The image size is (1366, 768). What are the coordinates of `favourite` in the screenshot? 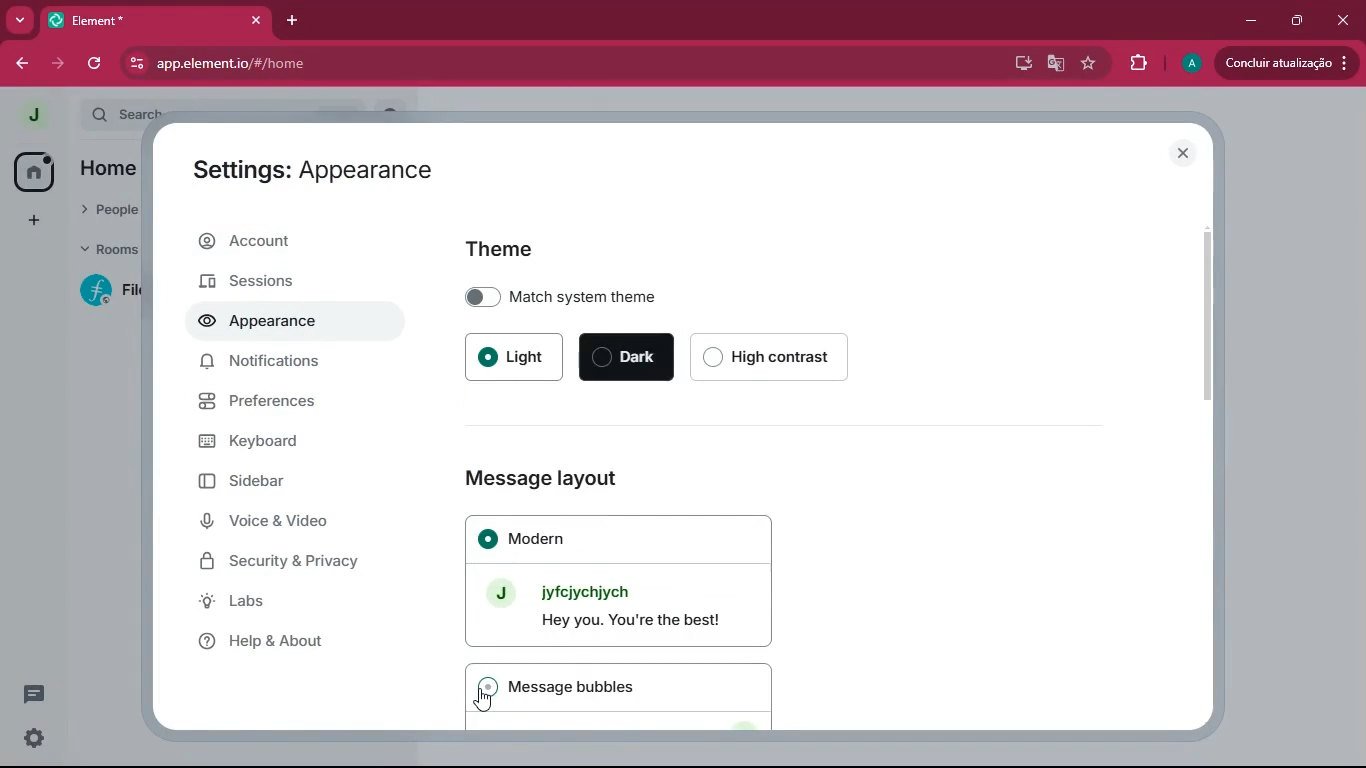 It's located at (1093, 63).